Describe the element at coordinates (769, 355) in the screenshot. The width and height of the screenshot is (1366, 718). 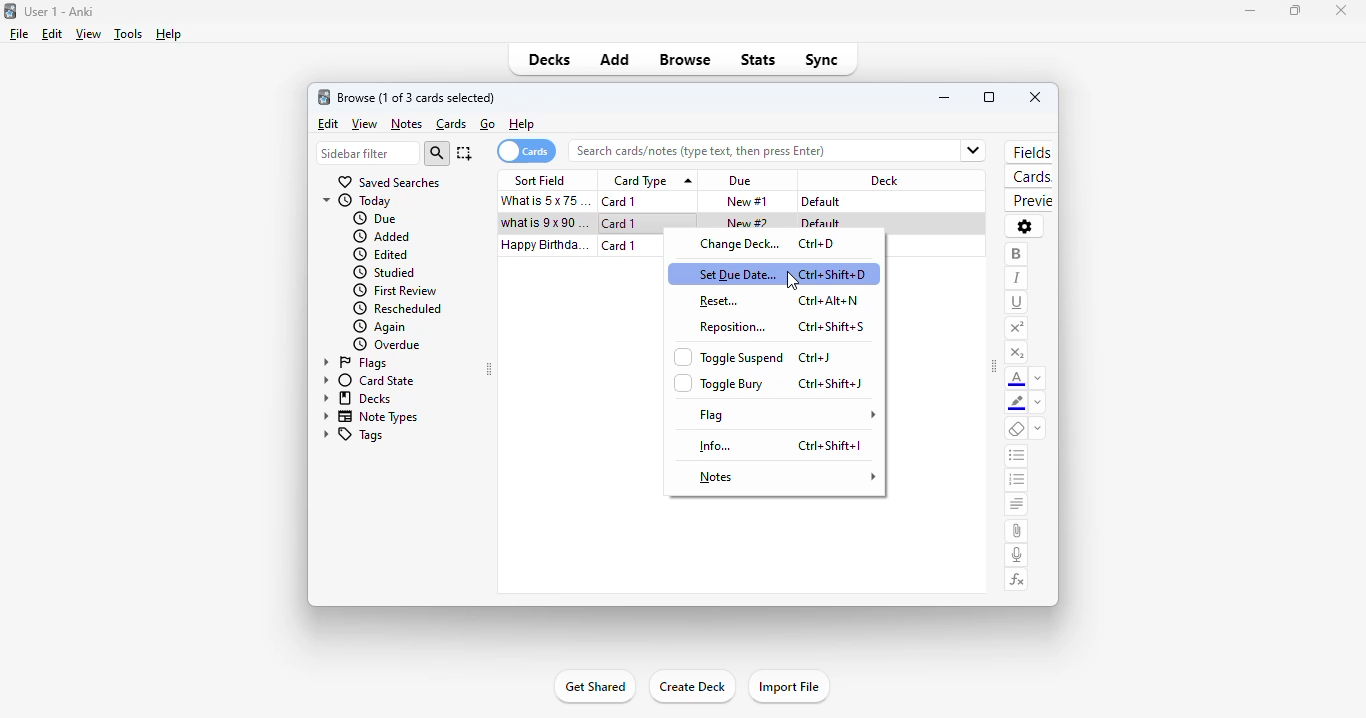
I see `toggle suspend Ctrl + J` at that location.